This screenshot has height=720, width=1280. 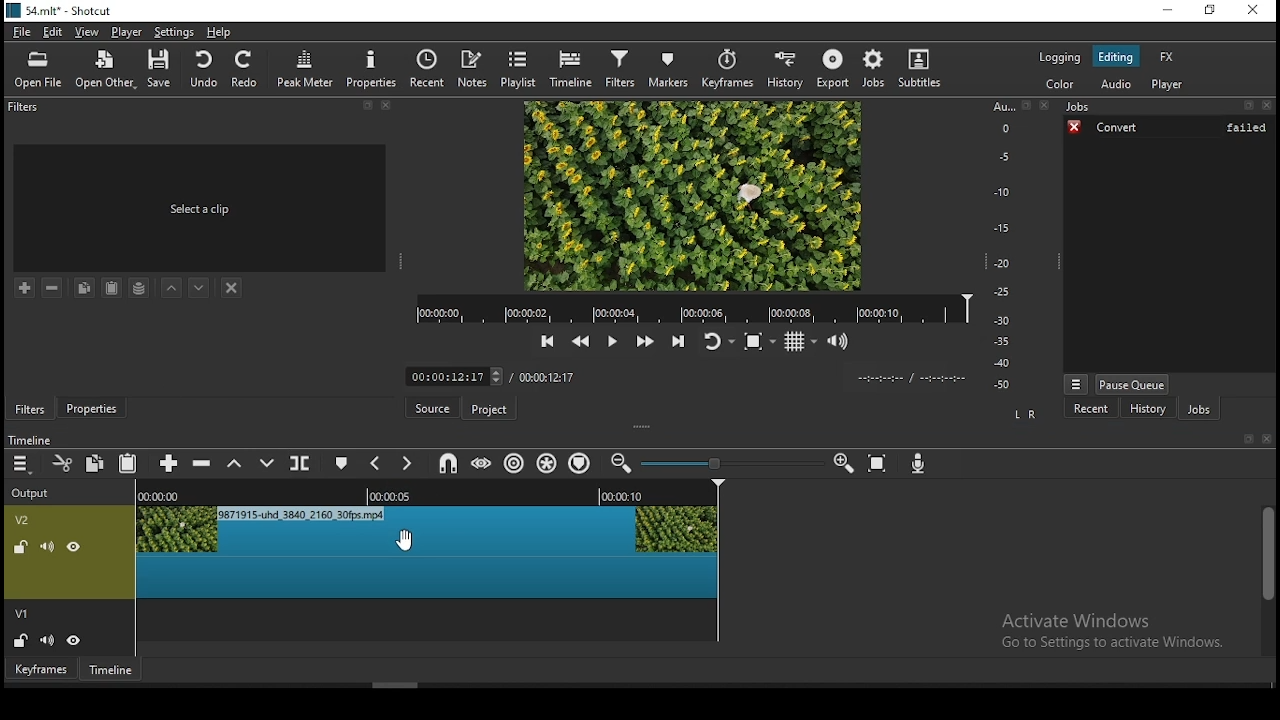 I want to click on volume control, so click(x=840, y=343).